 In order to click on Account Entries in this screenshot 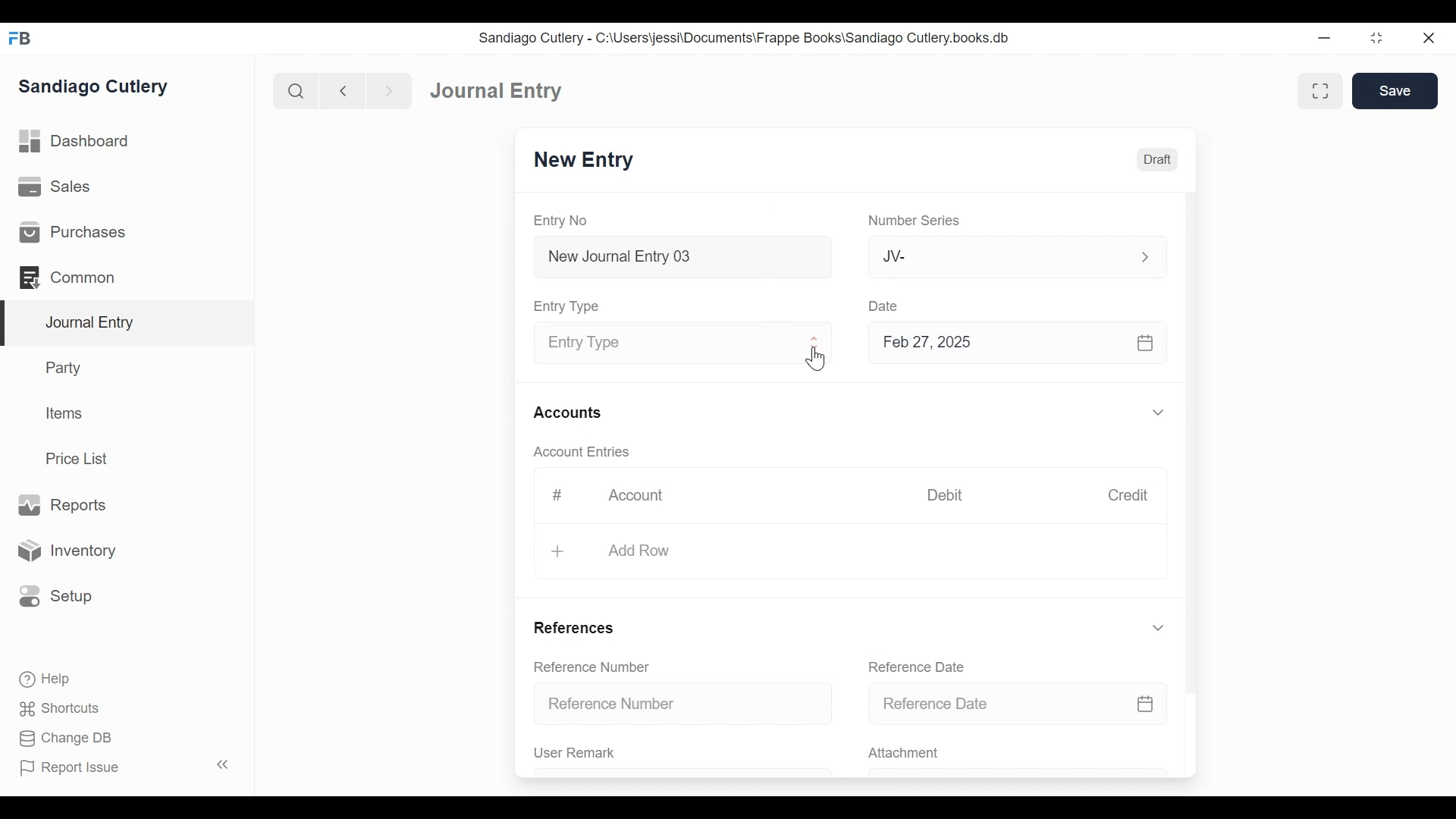, I will do `click(580, 452)`.